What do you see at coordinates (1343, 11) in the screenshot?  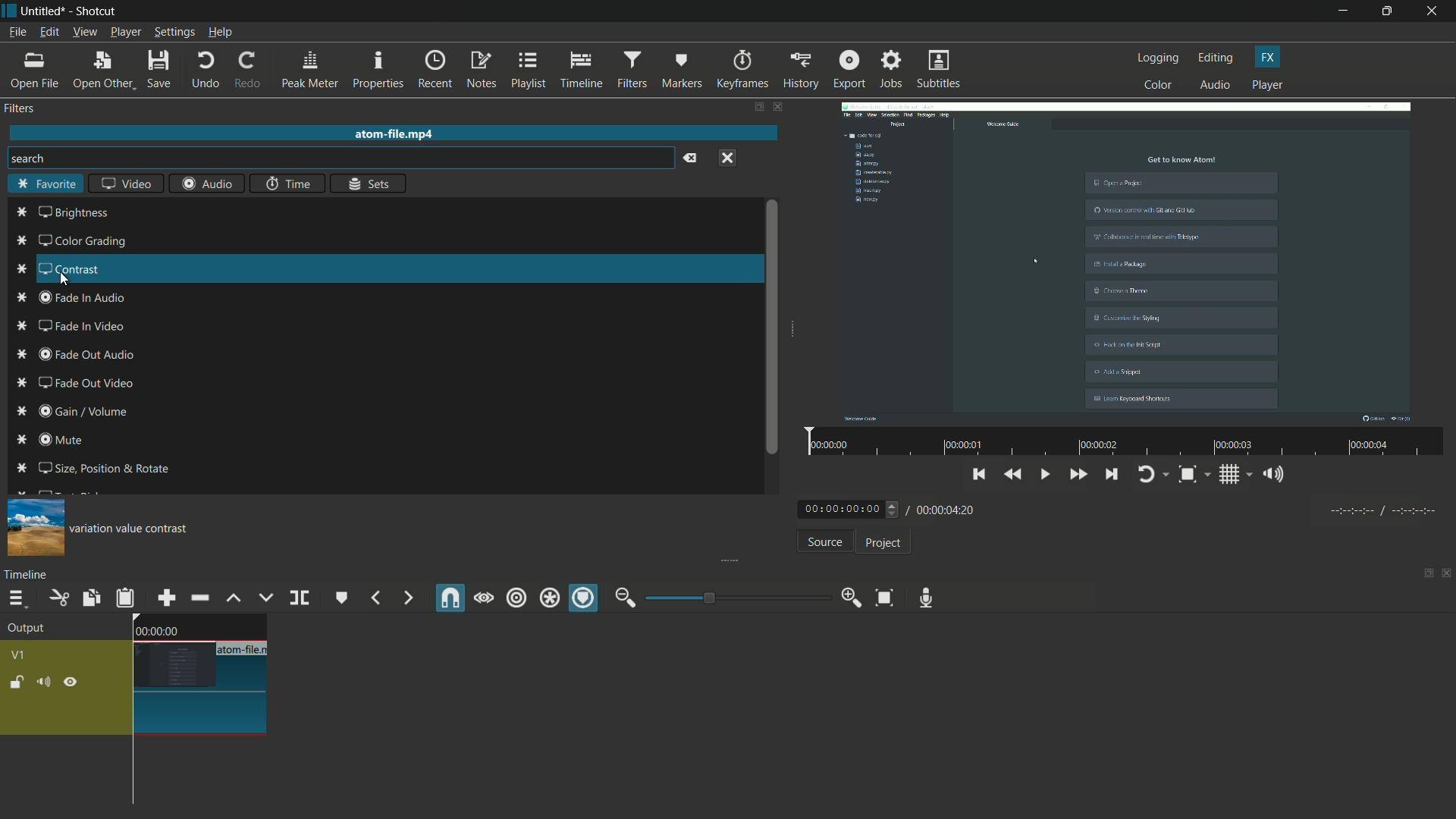 I see `minimize` at bounding box center [1343, 11].